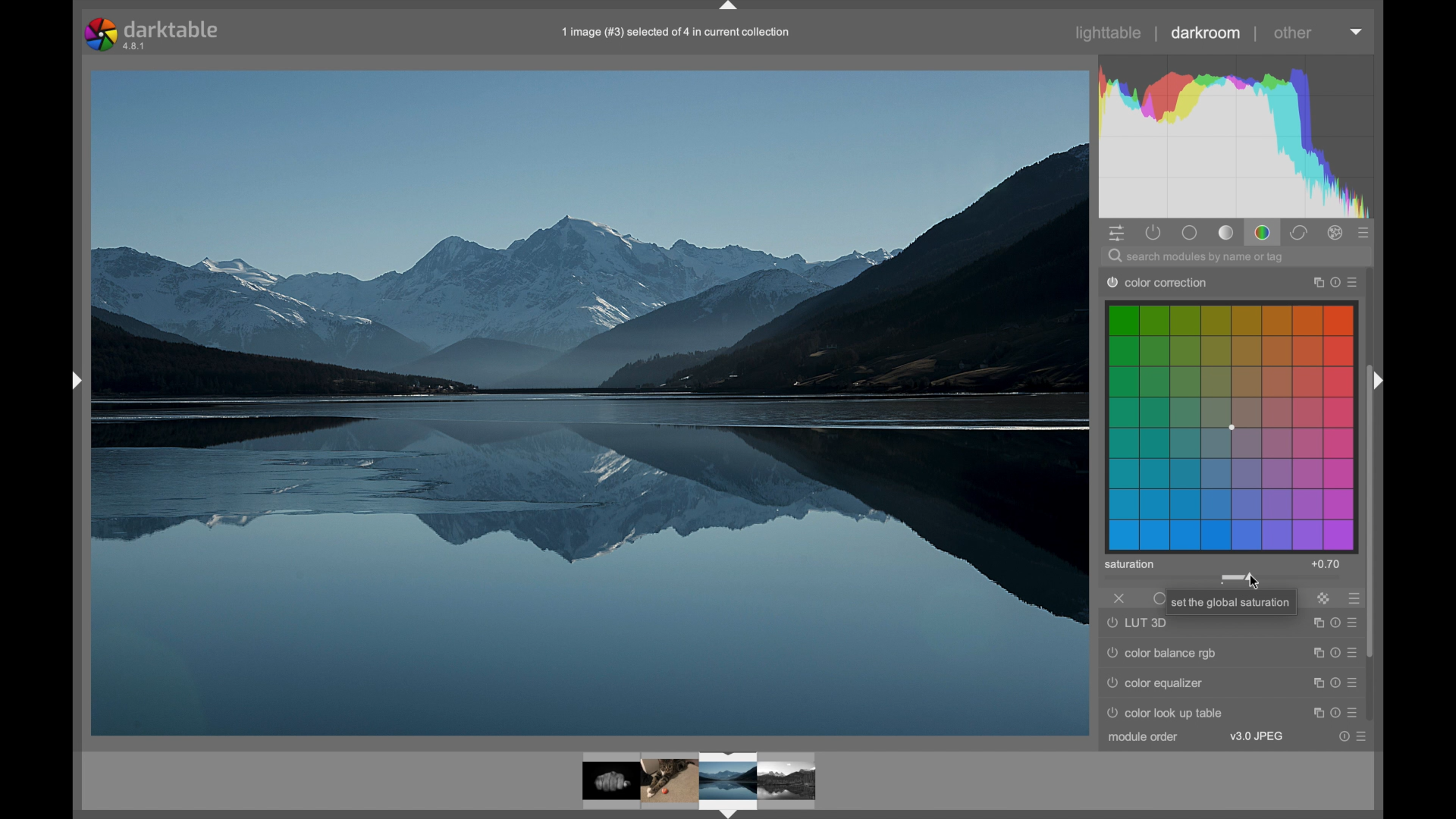 The width and height of the screenshot is (1456, 819). What do you see at coordinates (1333, 711) in the screenshot?
I see `options` at bounding box center [1333, 711].